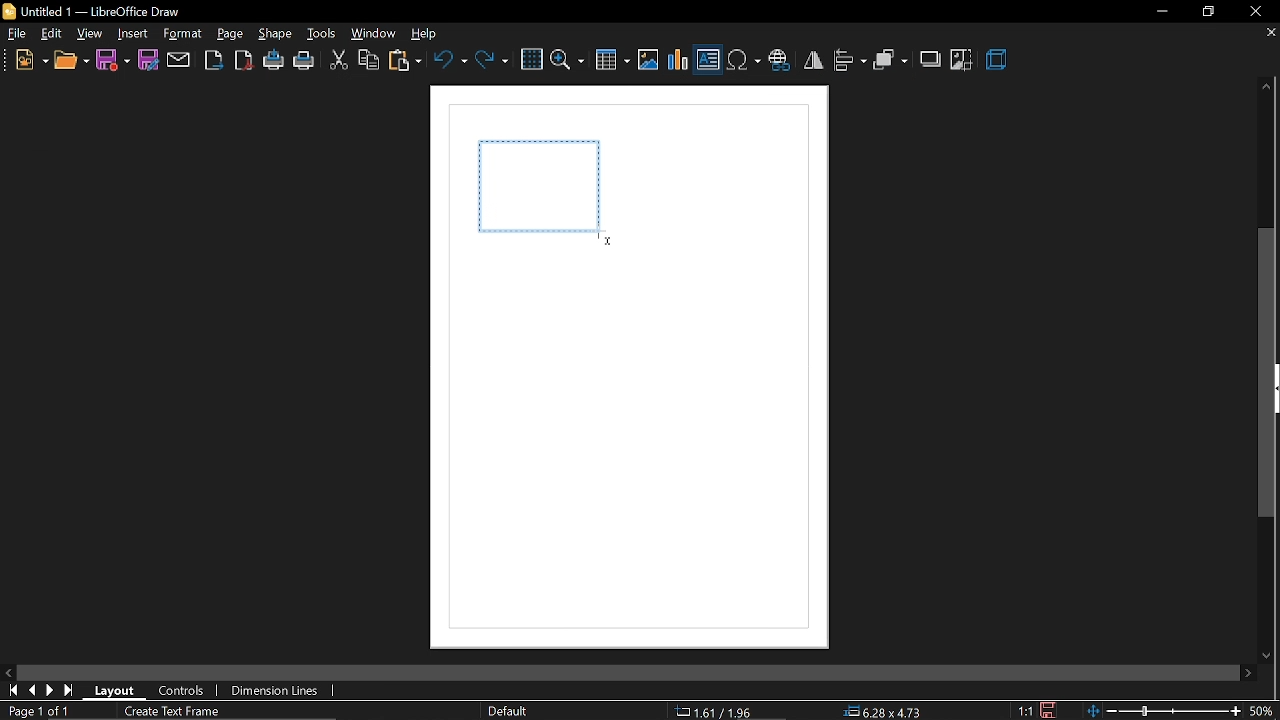  Describe the element at coordinates (1268, 373) in the screenshot. I see `vertical scrollbar` at that location.